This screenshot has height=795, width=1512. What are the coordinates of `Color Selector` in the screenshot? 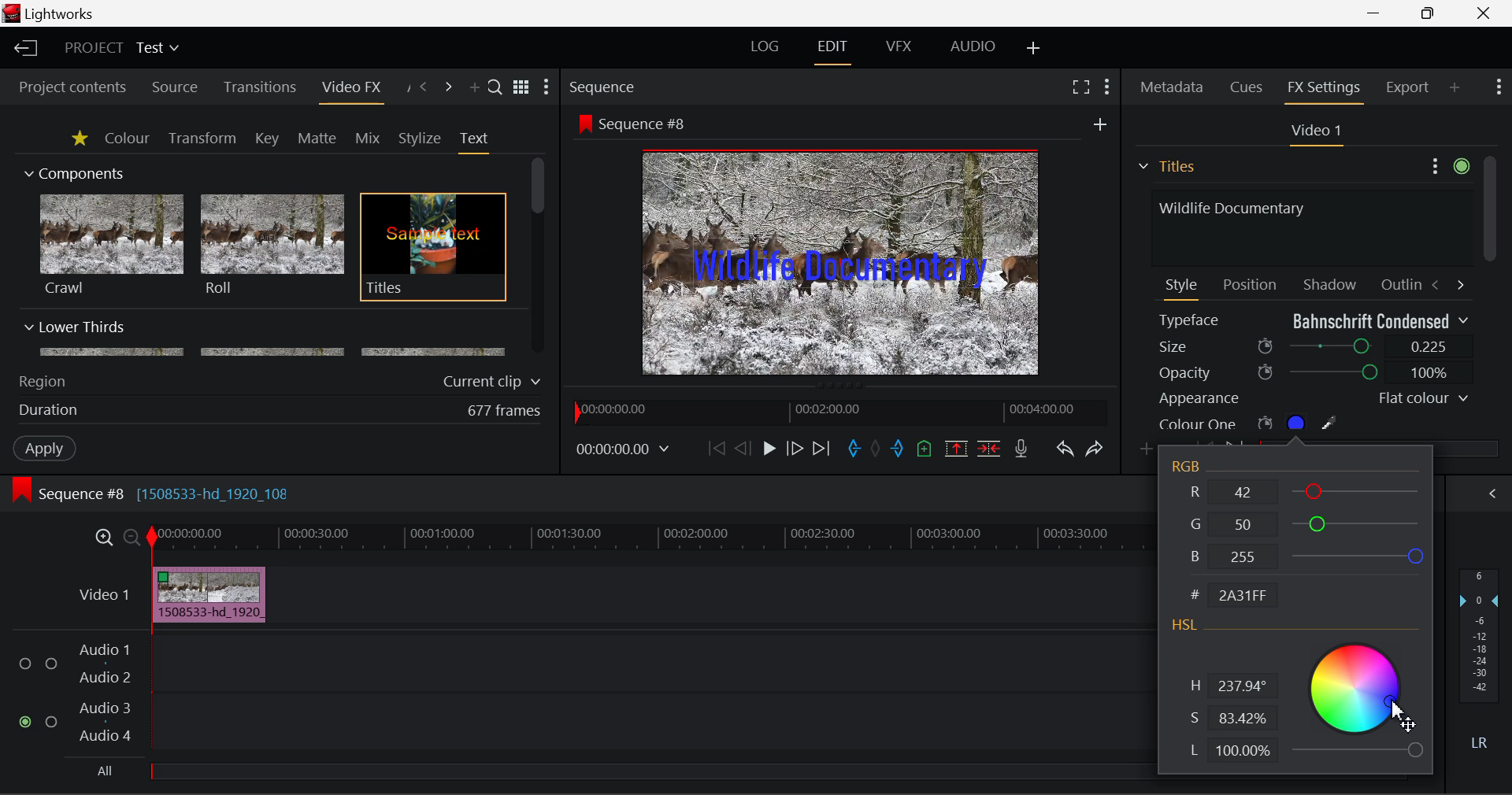 It's located at (1356, 698).